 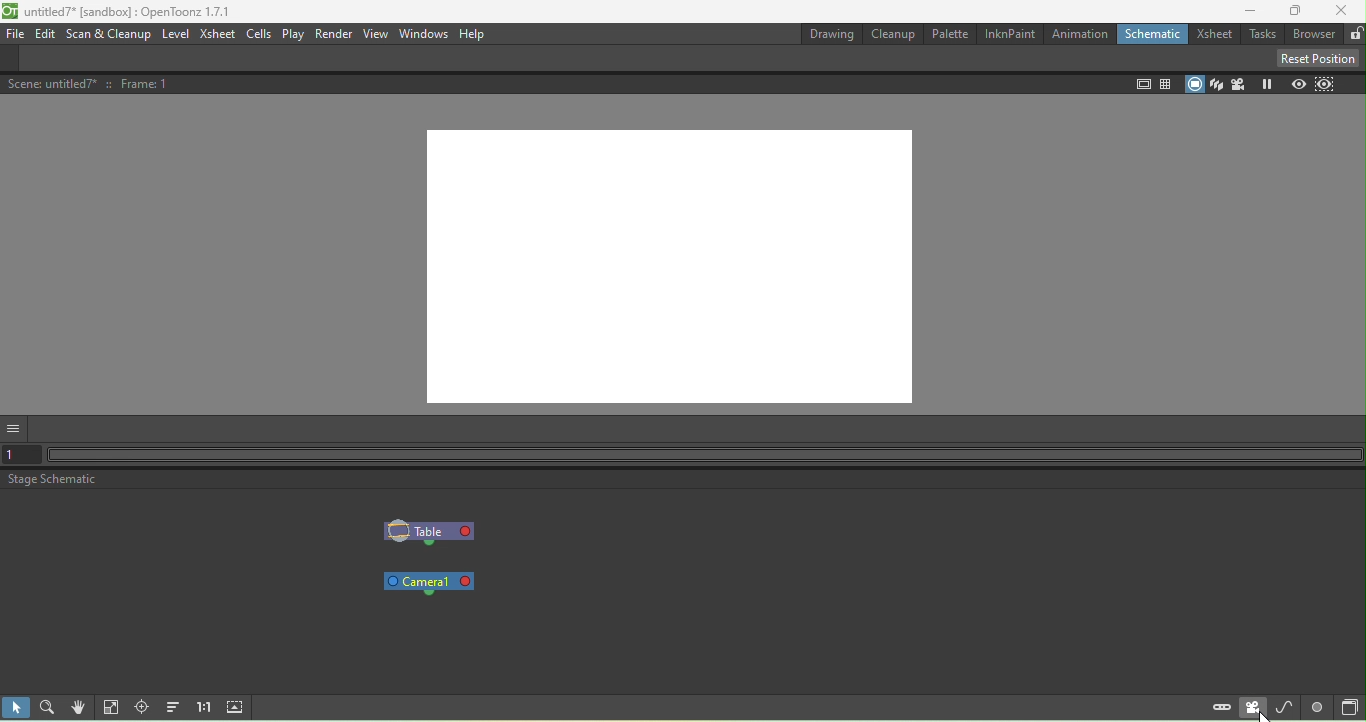 What do you see at coordinates (1265, 86) in the screenshot?
I see `Freeze` at bounding box center [1265, 86].